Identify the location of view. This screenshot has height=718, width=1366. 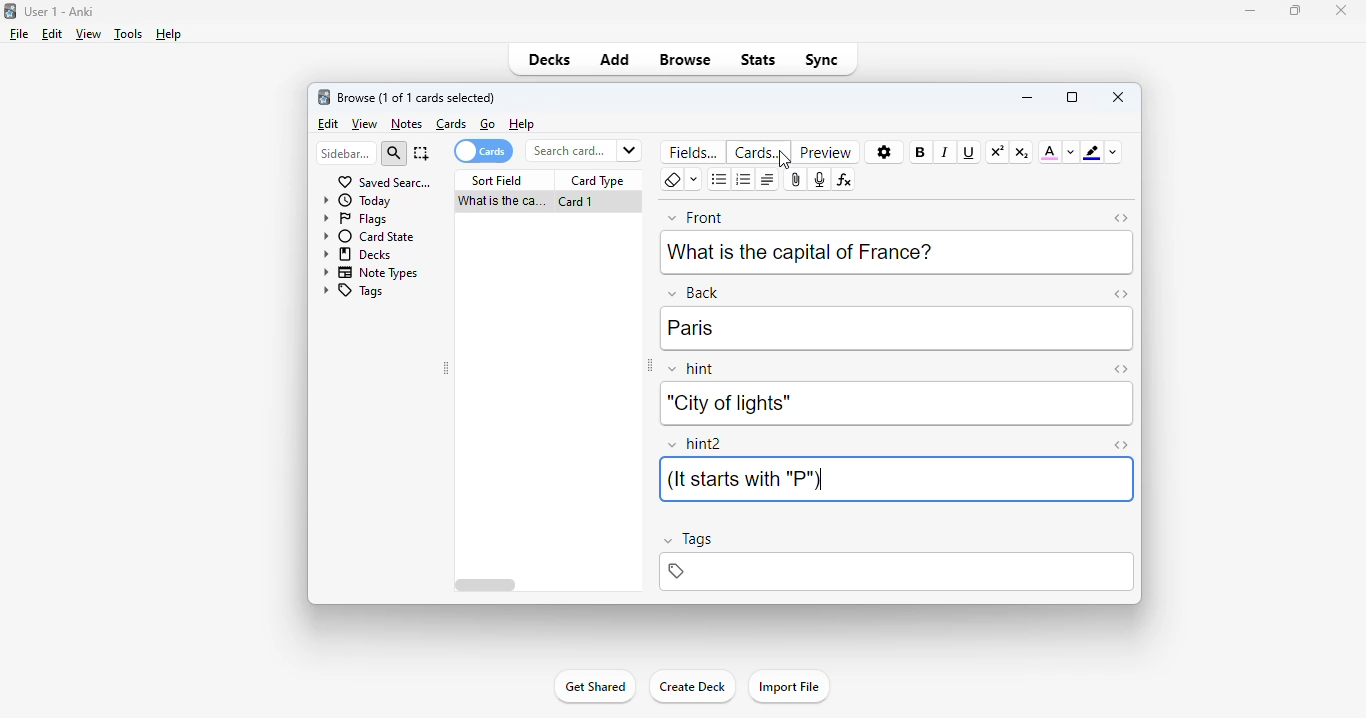
(365, 125).